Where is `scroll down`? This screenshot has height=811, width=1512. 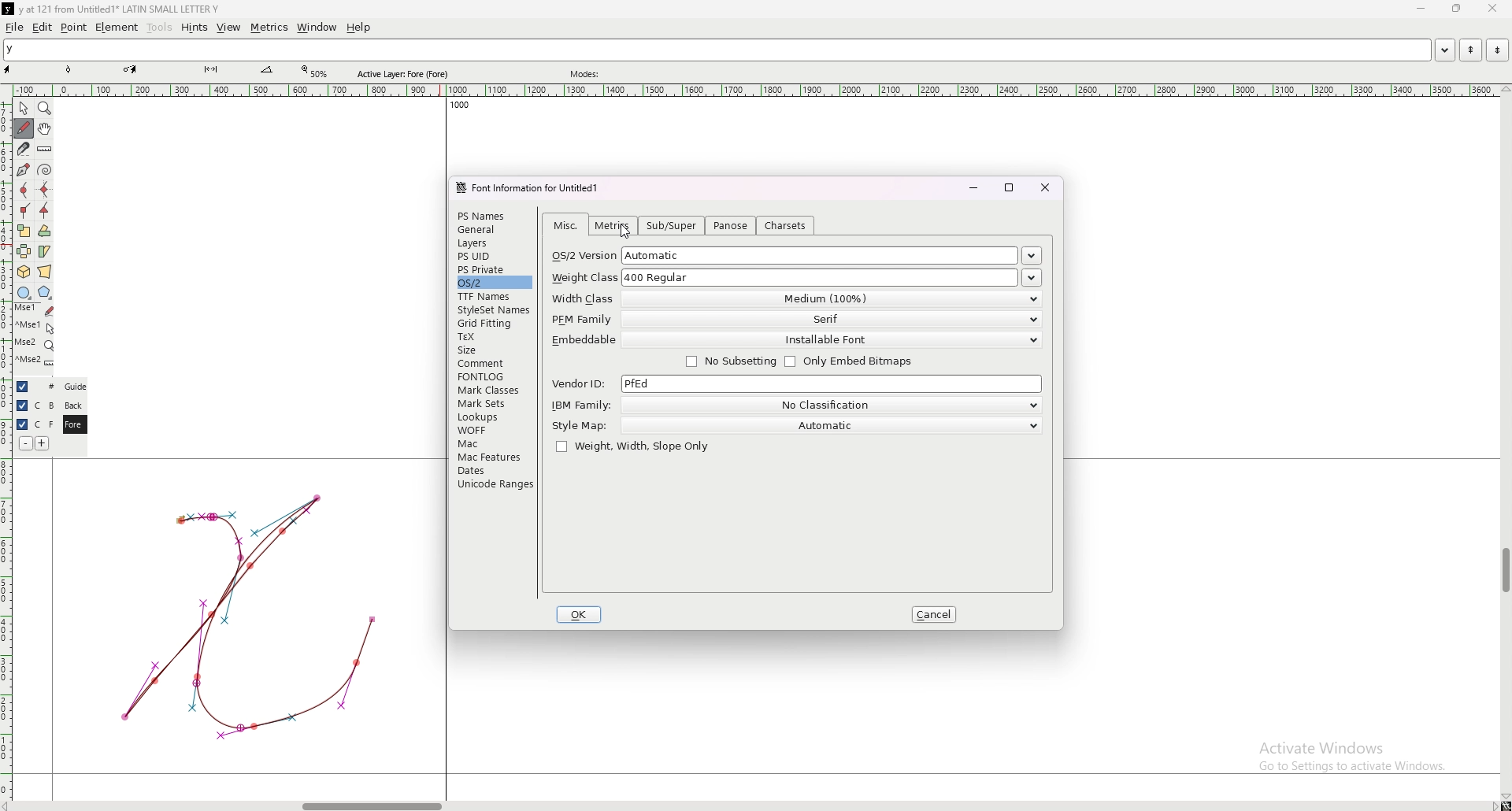
scroll down is located at coordinates (1505, 797).